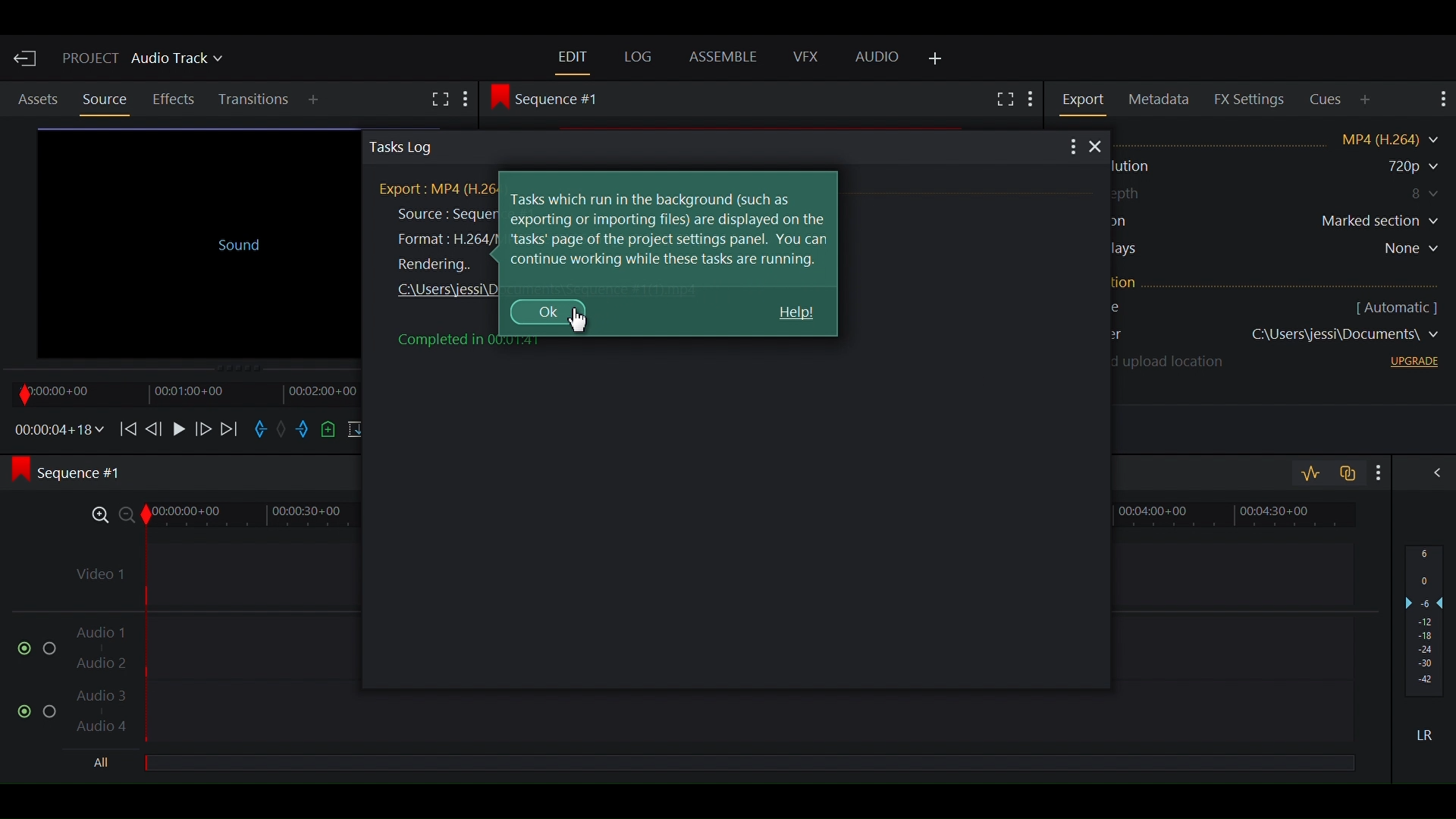  What do you see at coordinates (877, 58) in the screenshot?
I see `Audio` at bounding box center [877, 58].